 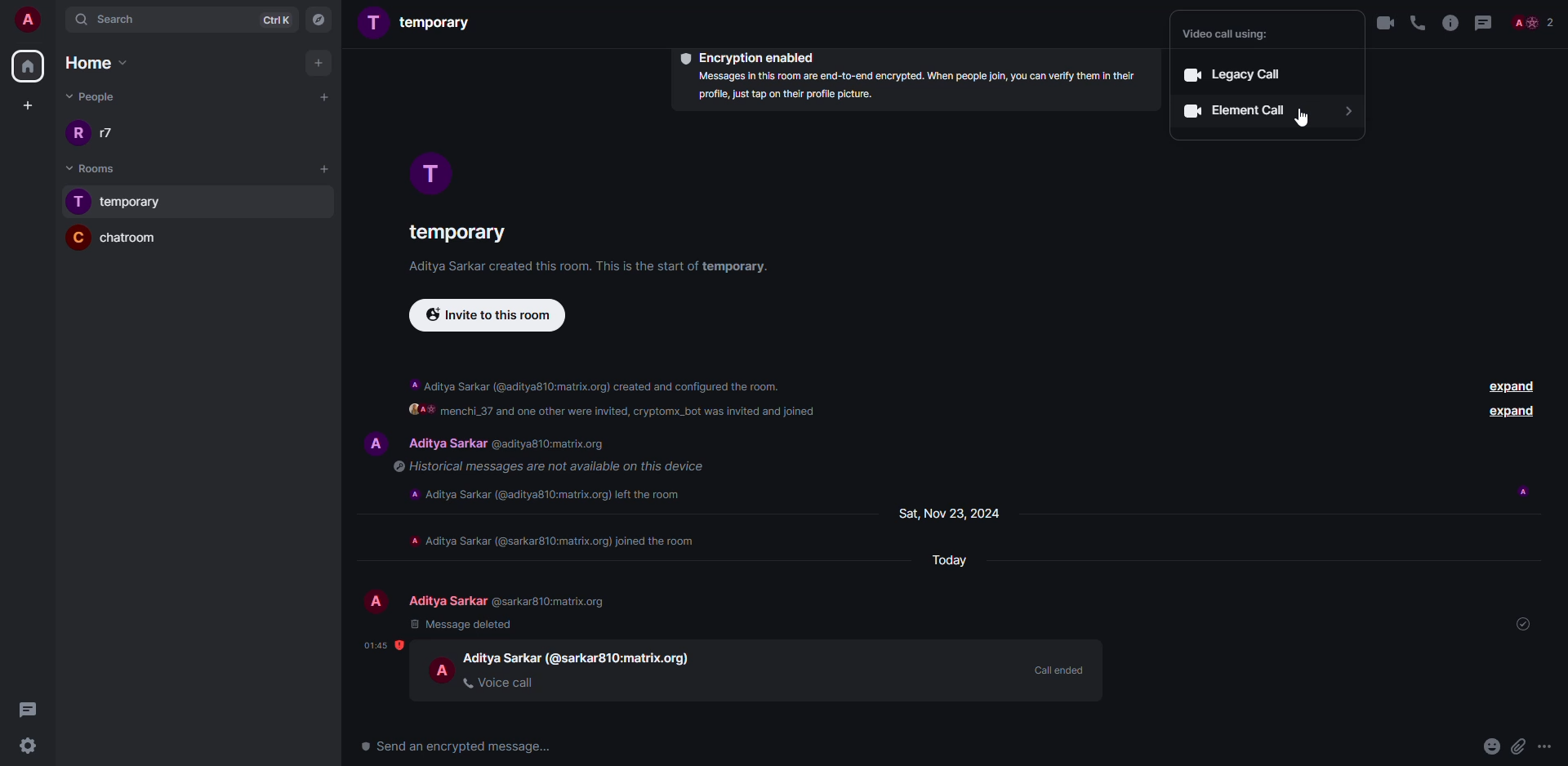 What do you see at coordinates (615, 399) in the screenshot?
I see `info` at bounding box center [615, 399].